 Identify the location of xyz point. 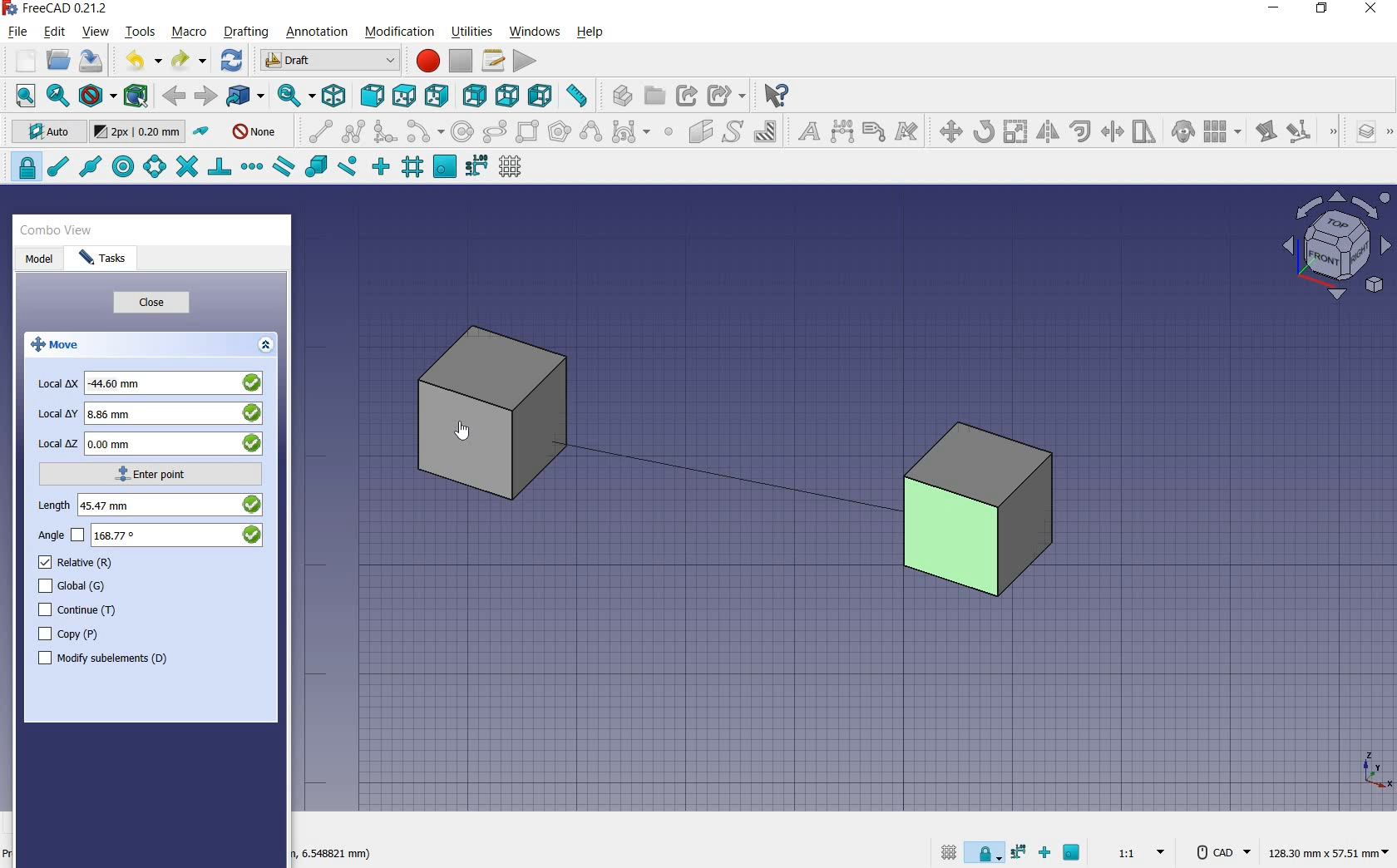
(1376, 771).